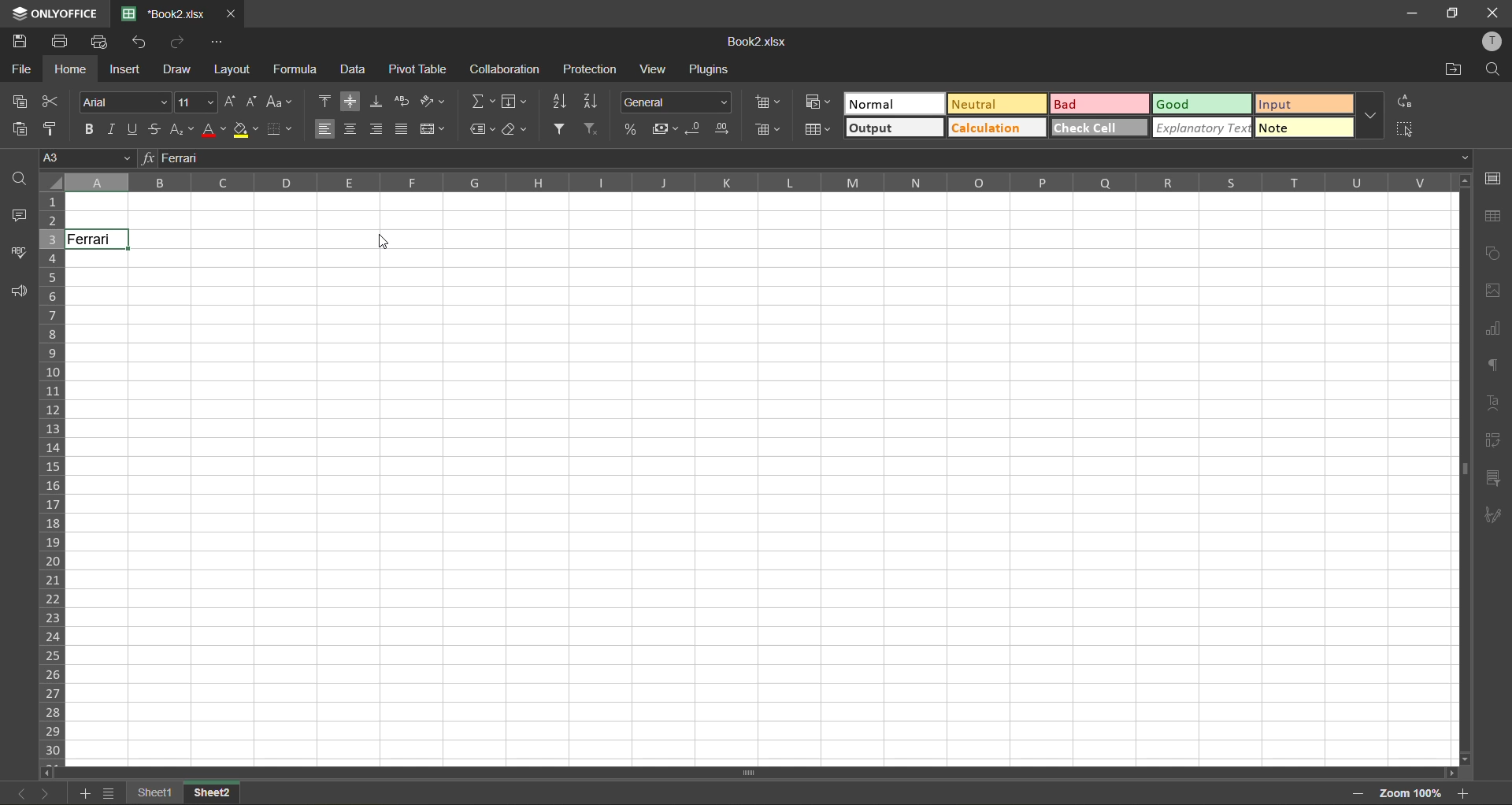  I want to click on table, so click(1494, 216).